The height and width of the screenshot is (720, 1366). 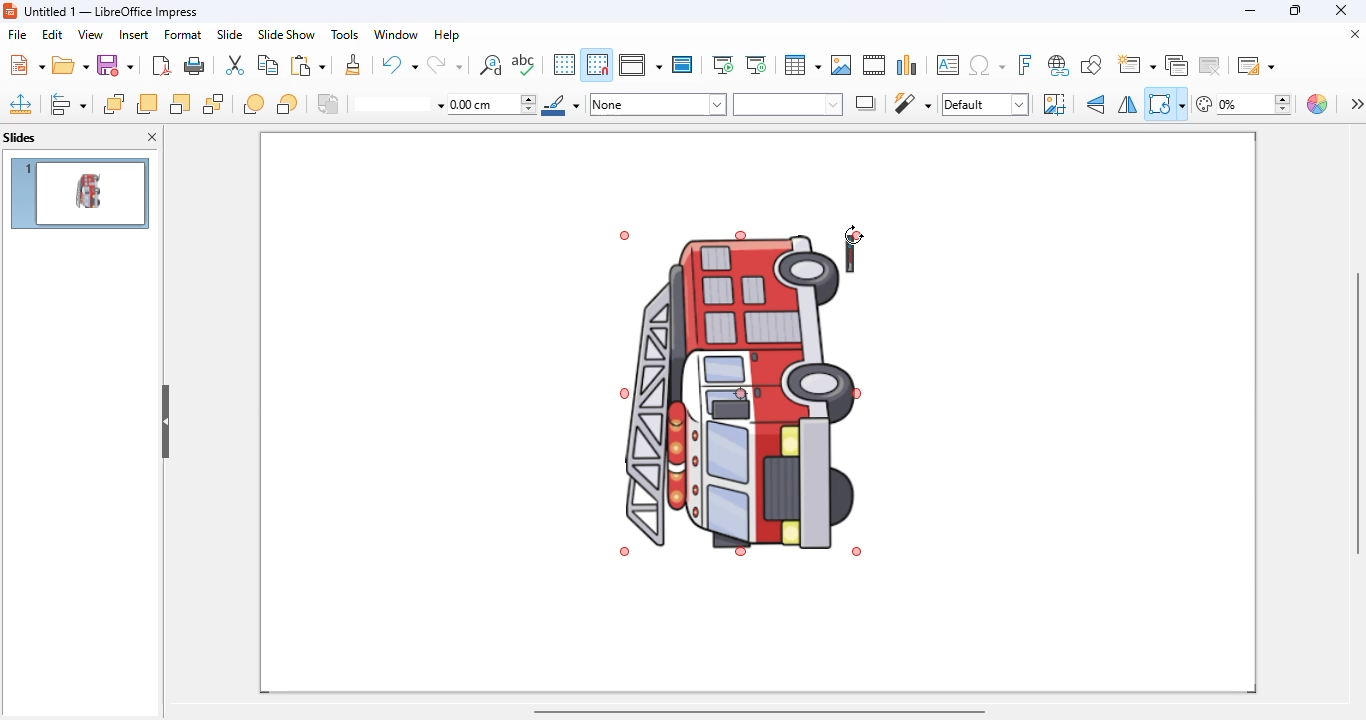 What do you see at coordinates (641, 64) in the screenshot?
I see `display views` at bounding box center [641, 64].